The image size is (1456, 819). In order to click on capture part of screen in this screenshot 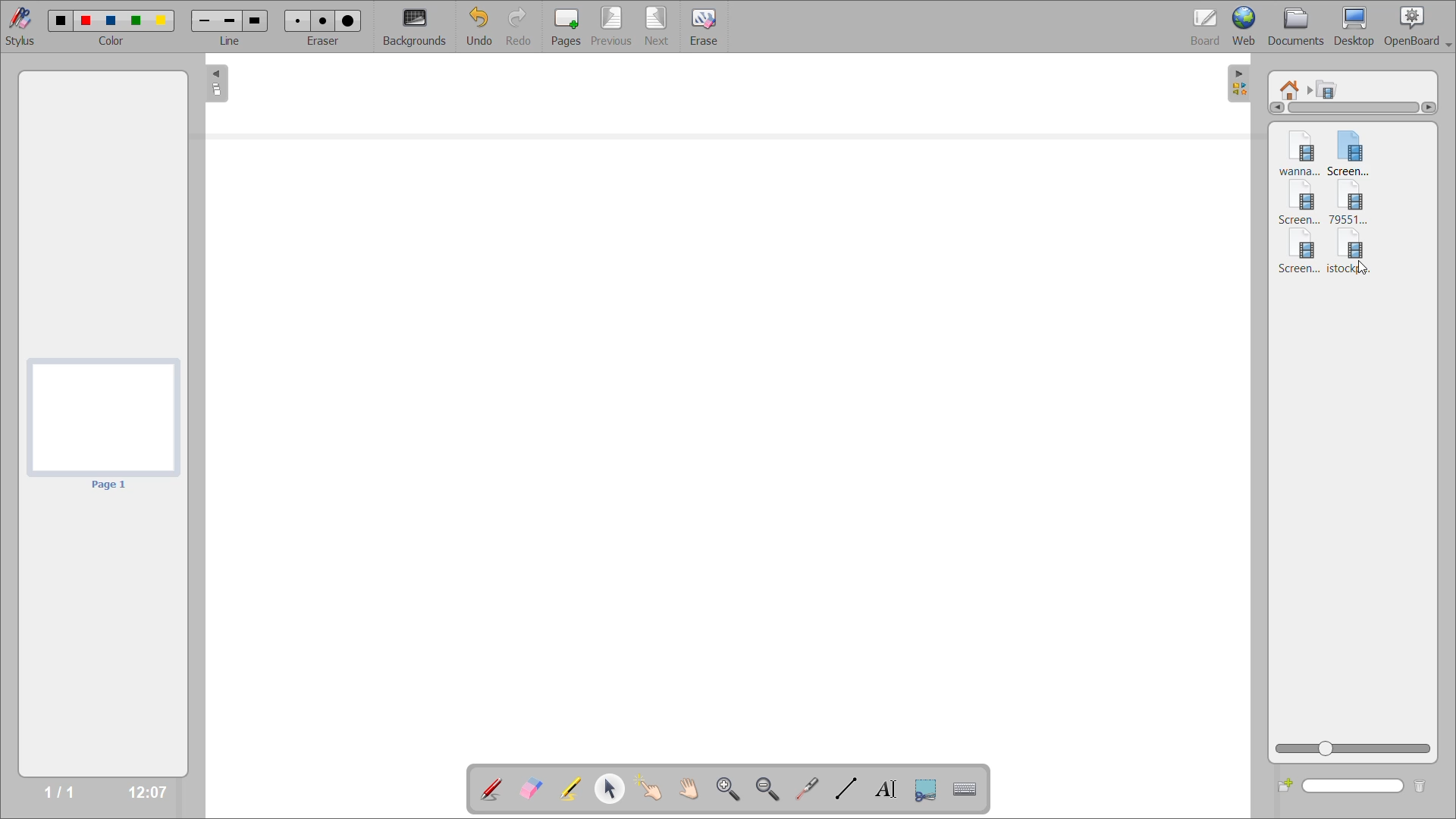, I will do `click(924, 789)`.